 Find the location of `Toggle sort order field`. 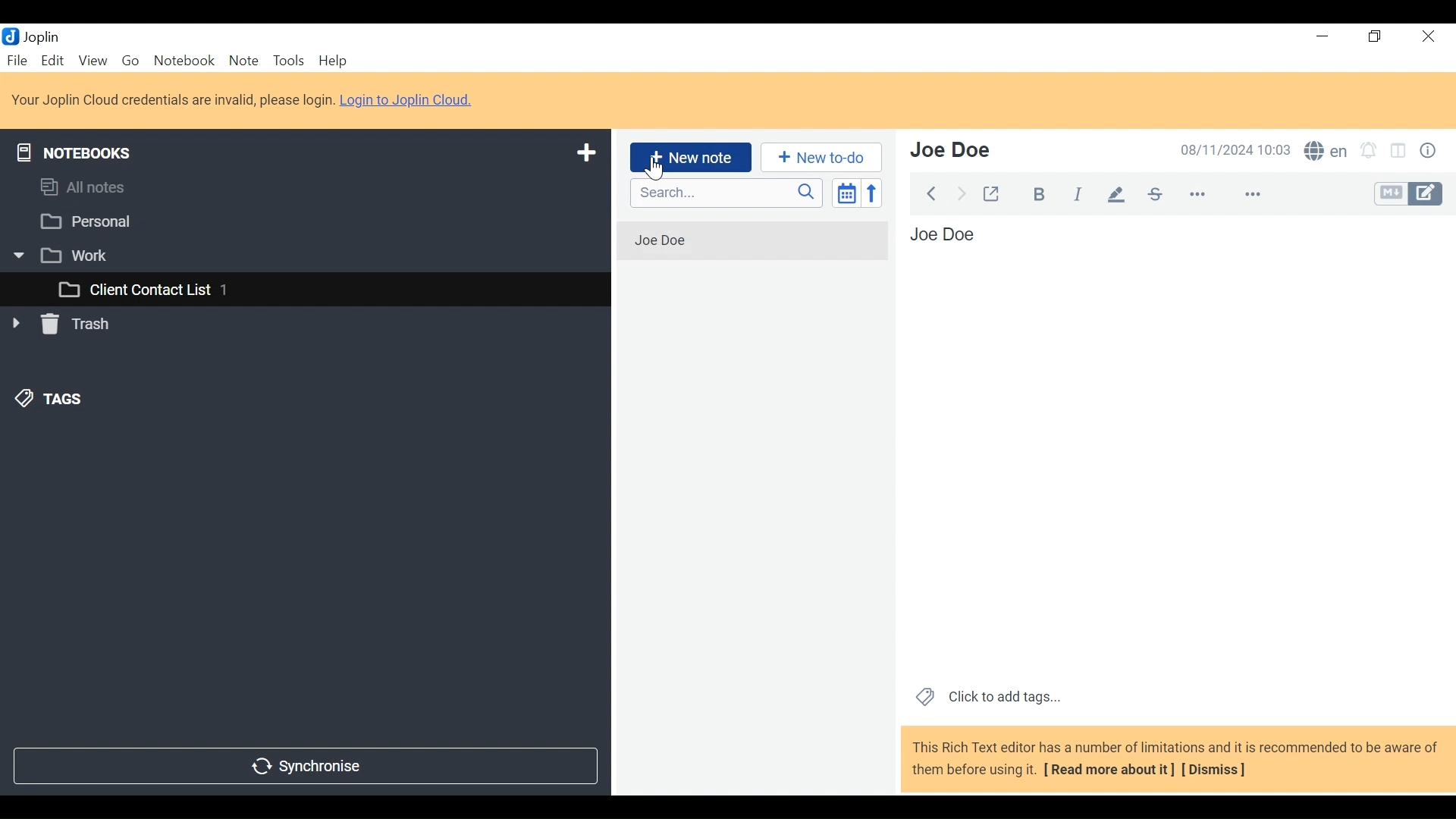

Toggle sort order field is located at coordinates (846, 192).